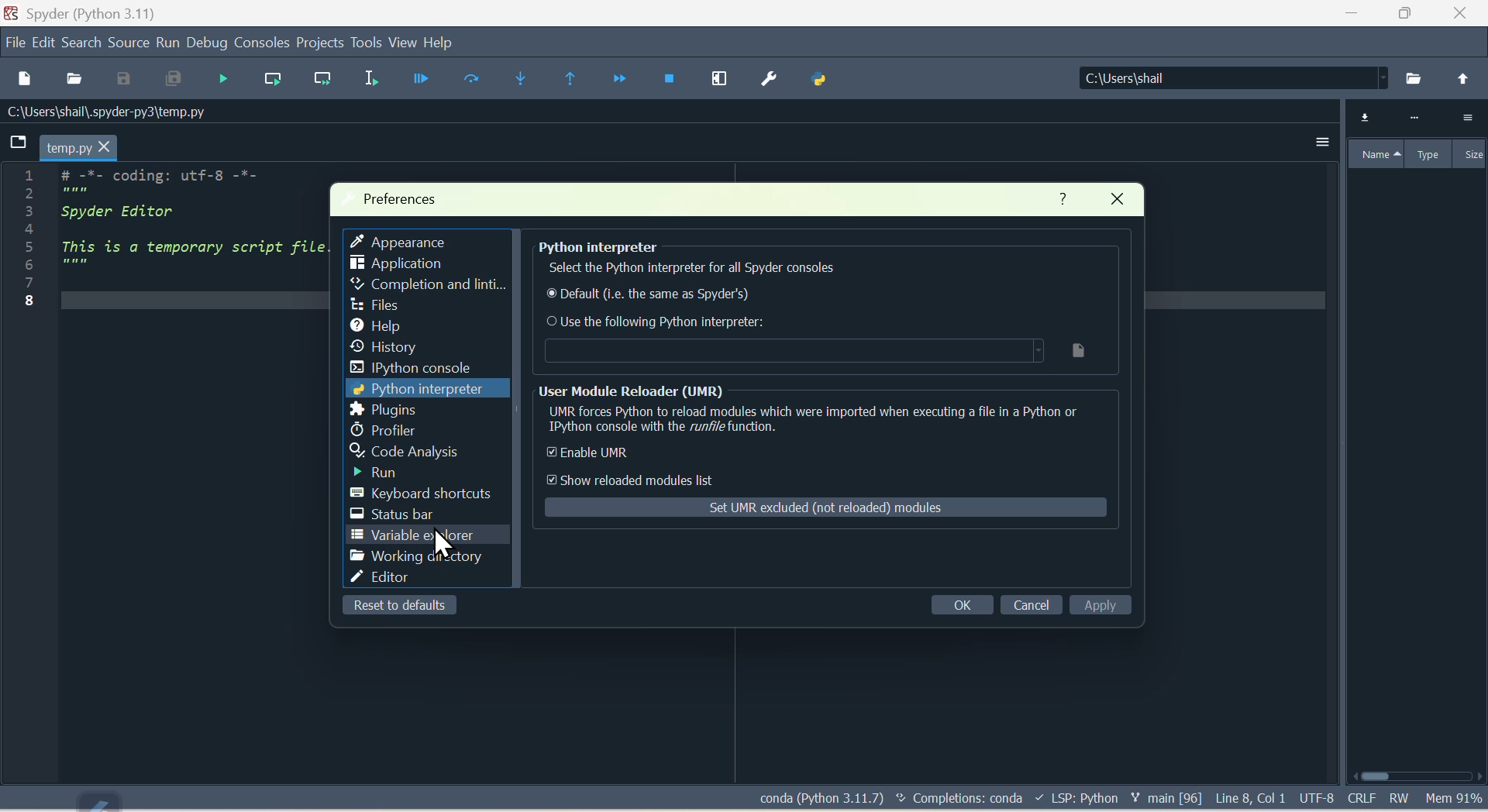 The image size is (1488, 812). Describe the element at coordinates (1355, 15) in the screenshot. I see `Minimize` at that location.